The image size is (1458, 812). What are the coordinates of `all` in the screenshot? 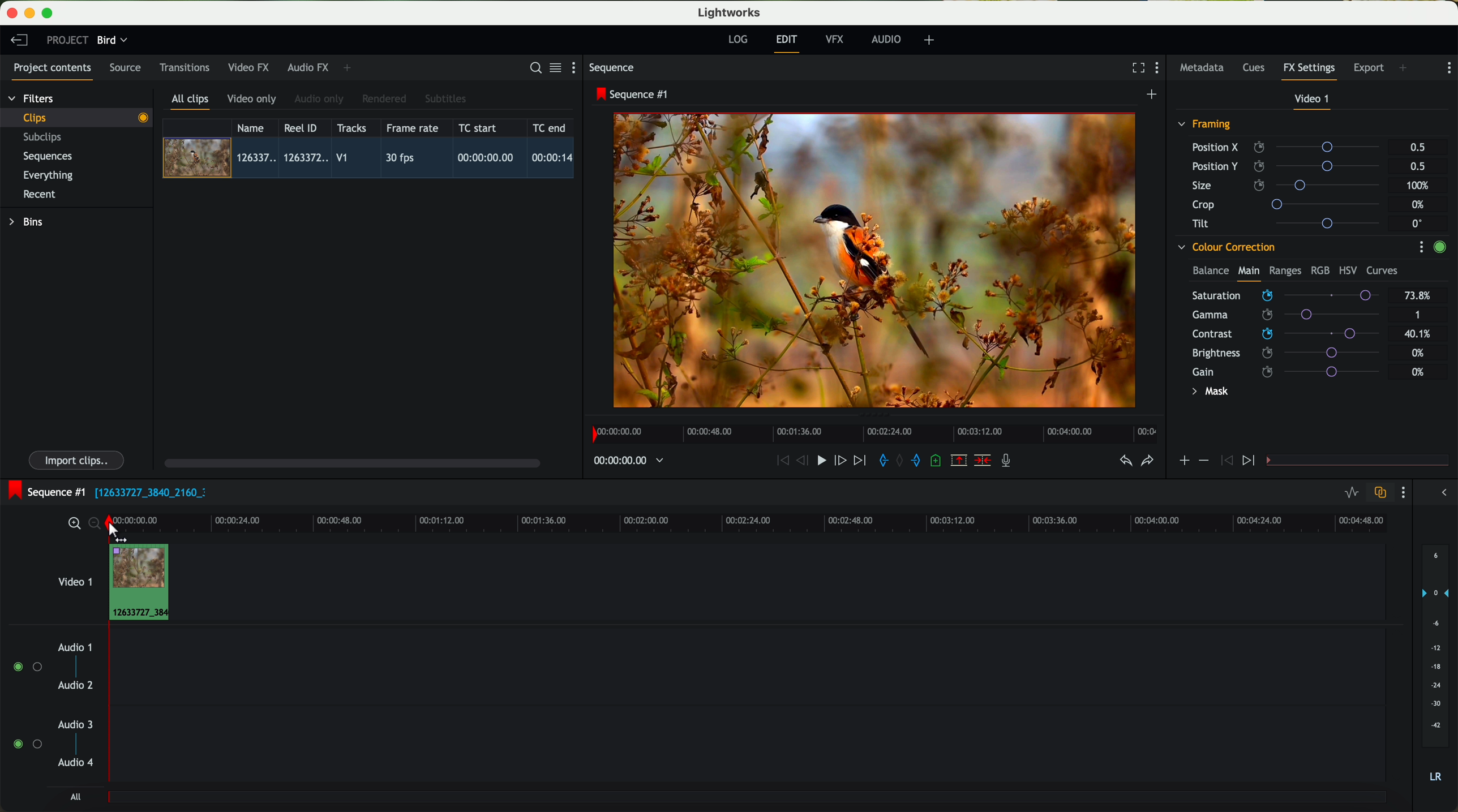 It's located at (75, 797).